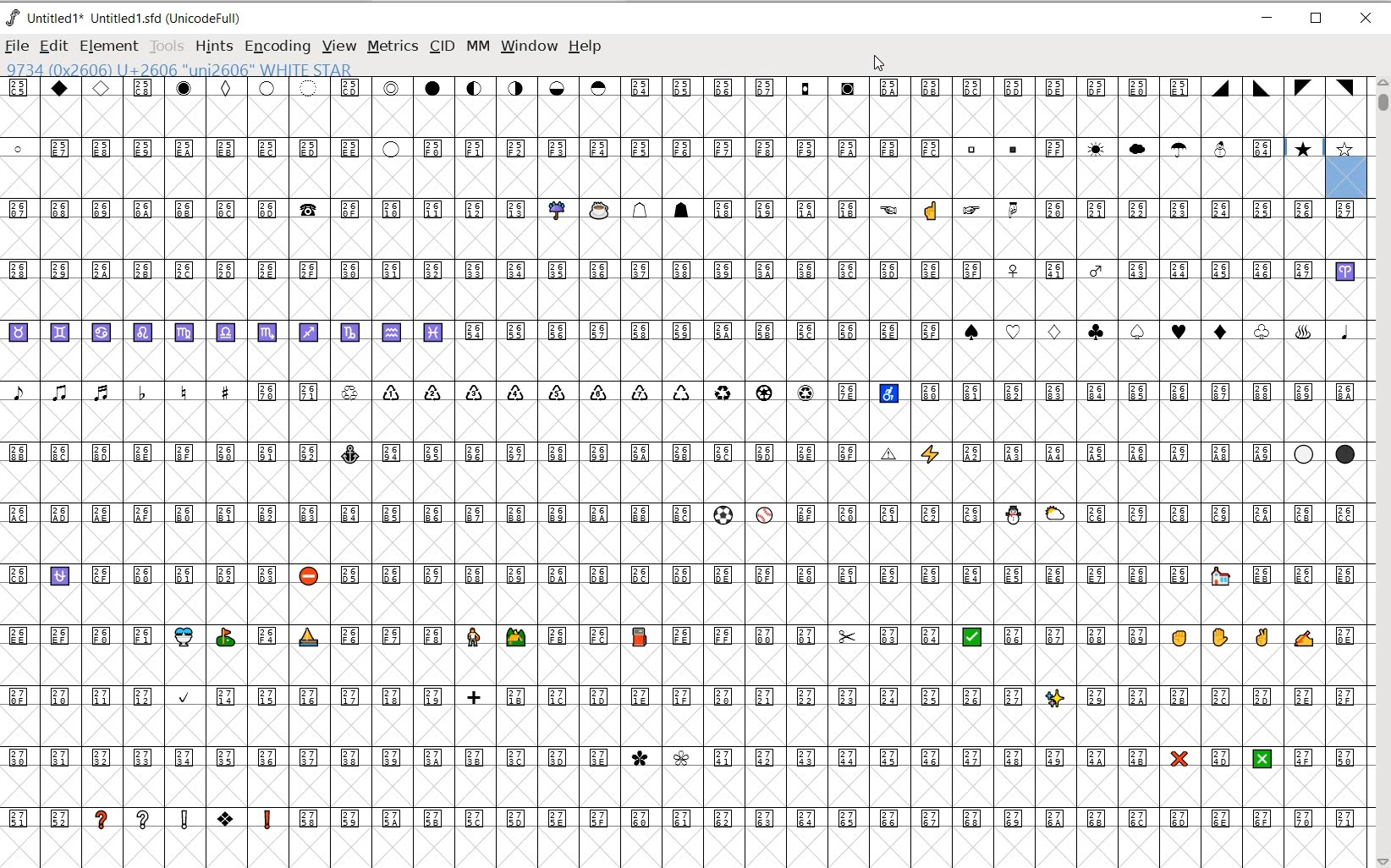 The image size is (1391, 868). I want to click on SCROLLBAR, so click(1381, 472).